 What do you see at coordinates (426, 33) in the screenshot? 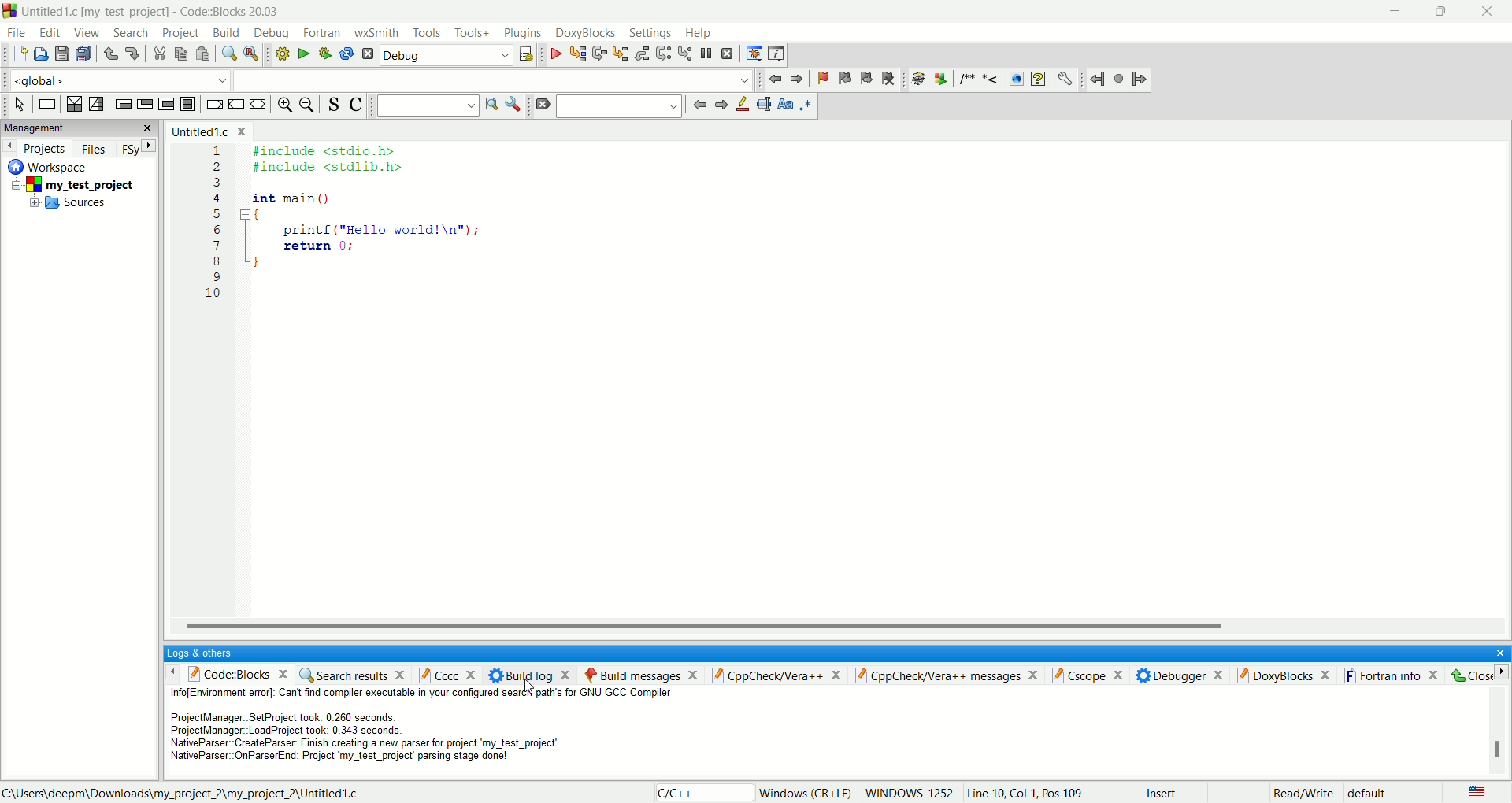
I see `tools` at bounding box center [426, 33].